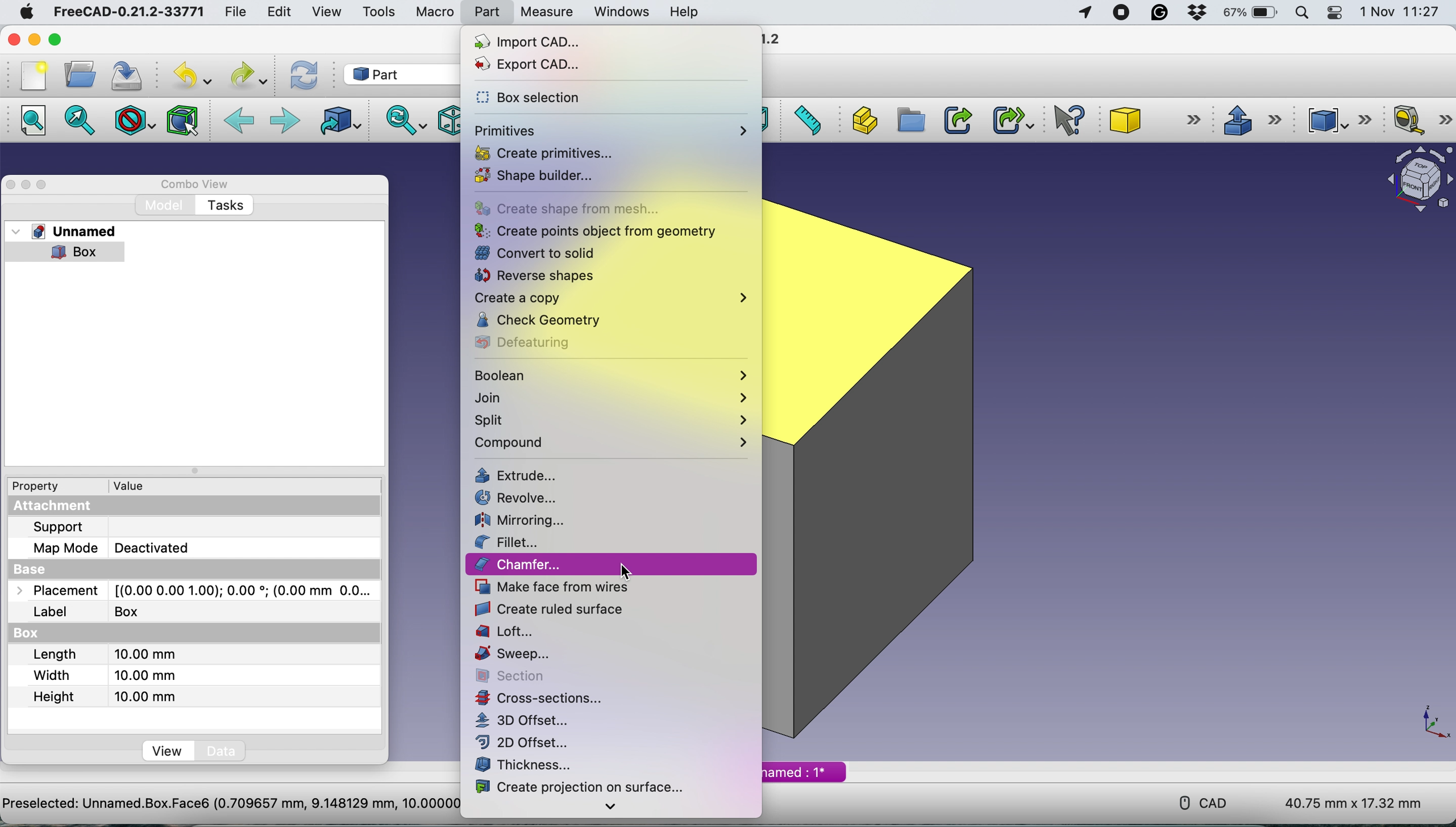 This screenshot has width=1456, height=827. Describe the element at coordinates (282, 13) in the screenshot. I see `edit` at that location.